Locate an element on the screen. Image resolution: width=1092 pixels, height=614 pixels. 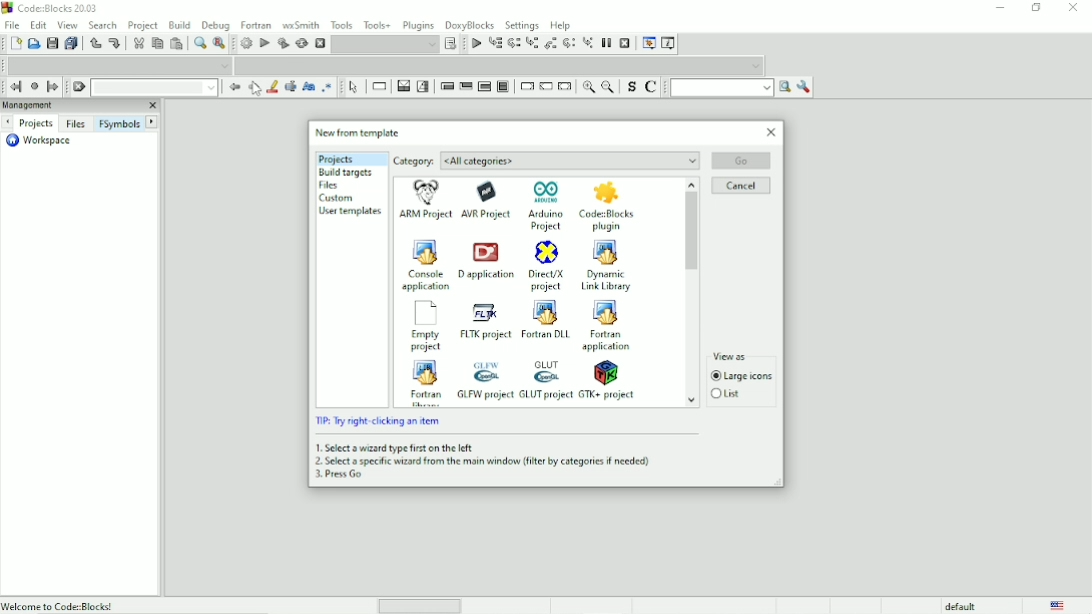
Entry condition loop is located at coordinates (446, 85).